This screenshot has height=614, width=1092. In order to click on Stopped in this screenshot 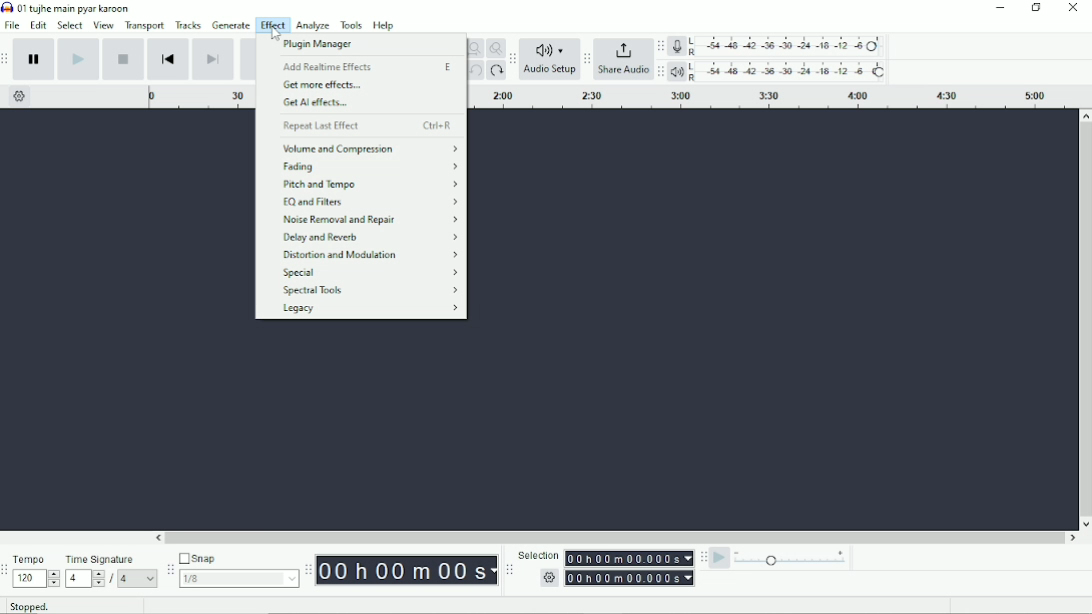, I will do `click(28, 606)`.